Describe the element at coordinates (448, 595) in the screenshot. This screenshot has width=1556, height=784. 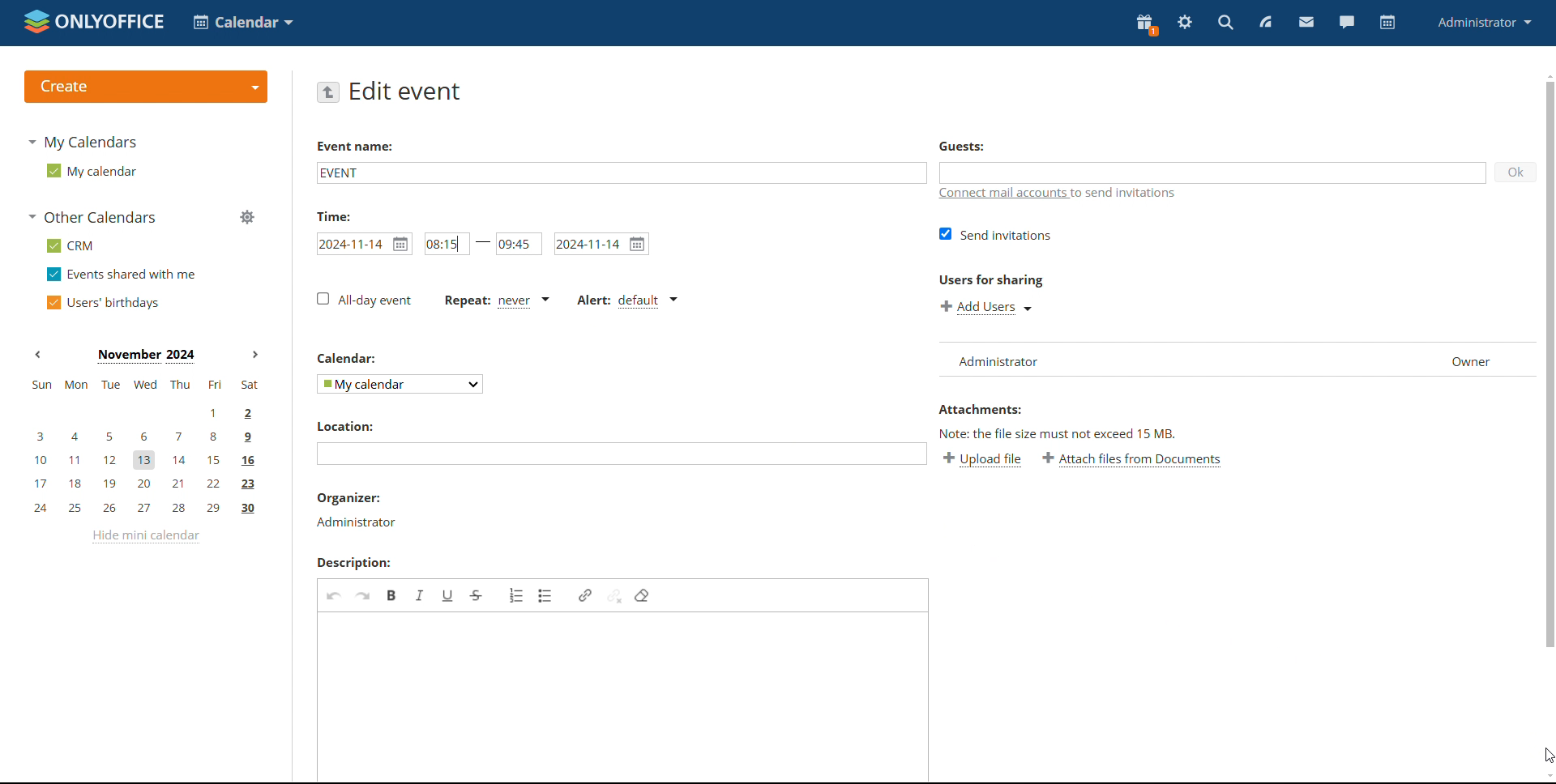
I see `underline` at that location.